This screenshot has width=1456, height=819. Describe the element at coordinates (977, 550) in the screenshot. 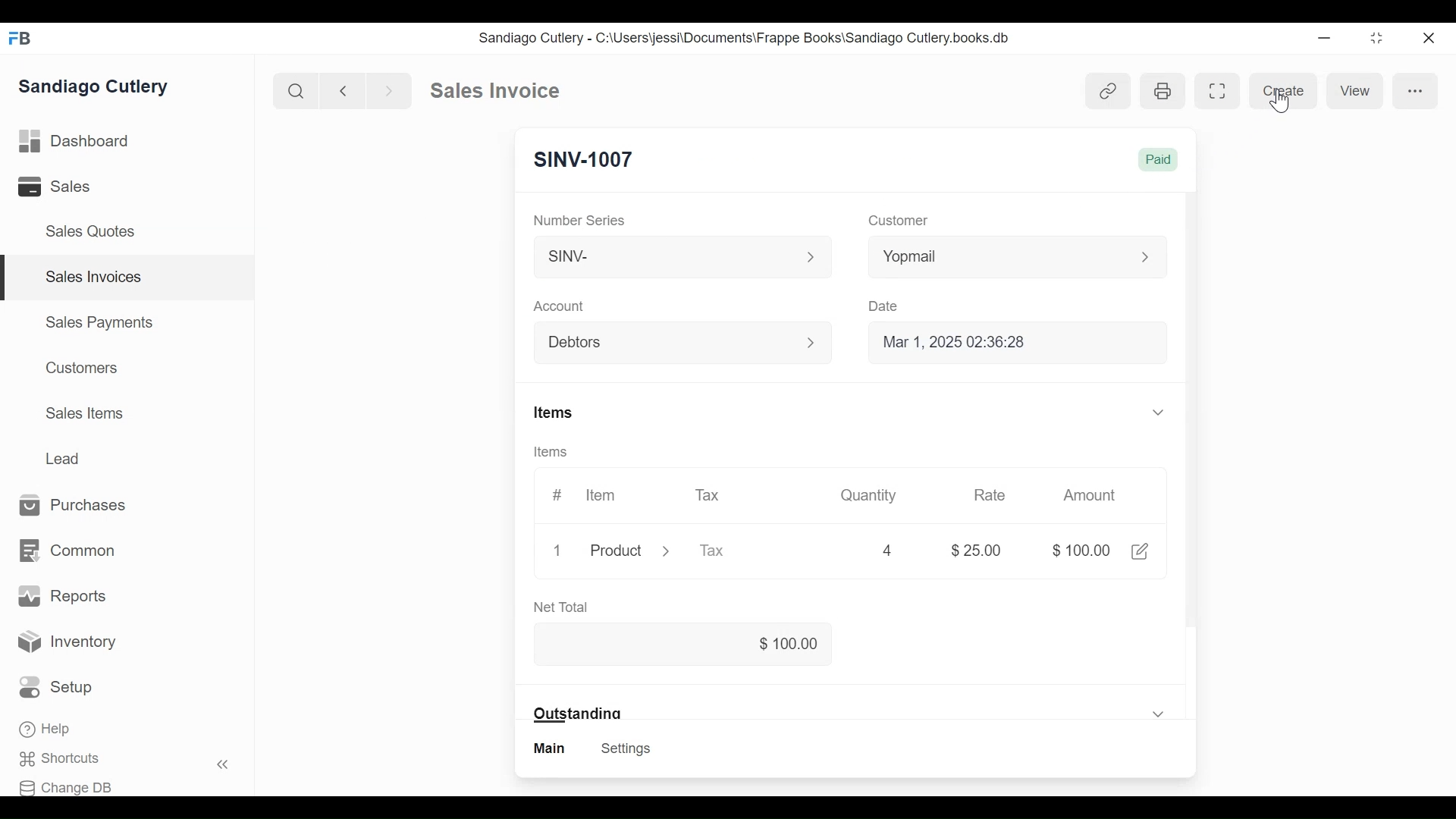

I see `$25.00` at that location.